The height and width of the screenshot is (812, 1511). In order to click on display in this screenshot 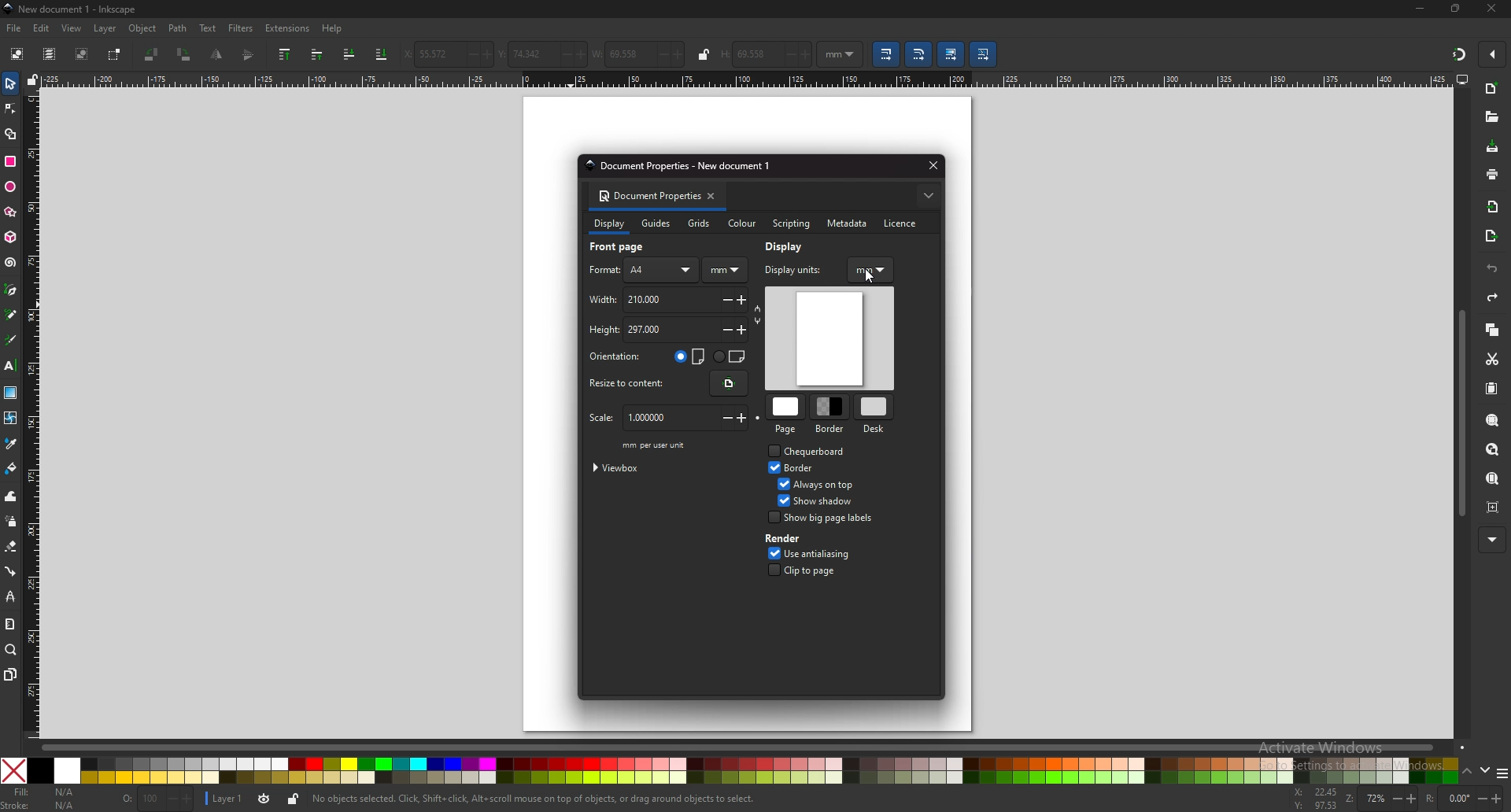, I will do `click(789, 246)`.